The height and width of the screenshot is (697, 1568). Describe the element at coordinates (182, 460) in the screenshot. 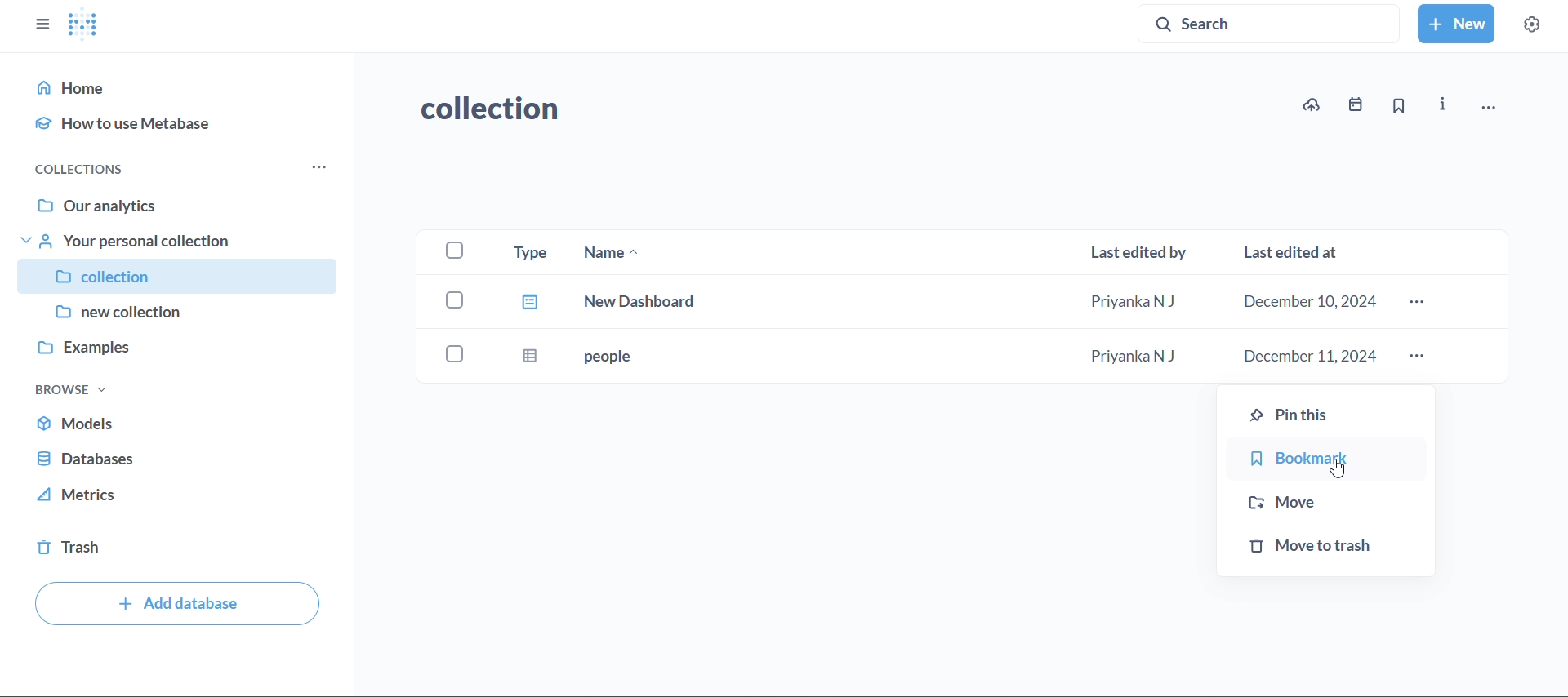

I see `database` at that location.